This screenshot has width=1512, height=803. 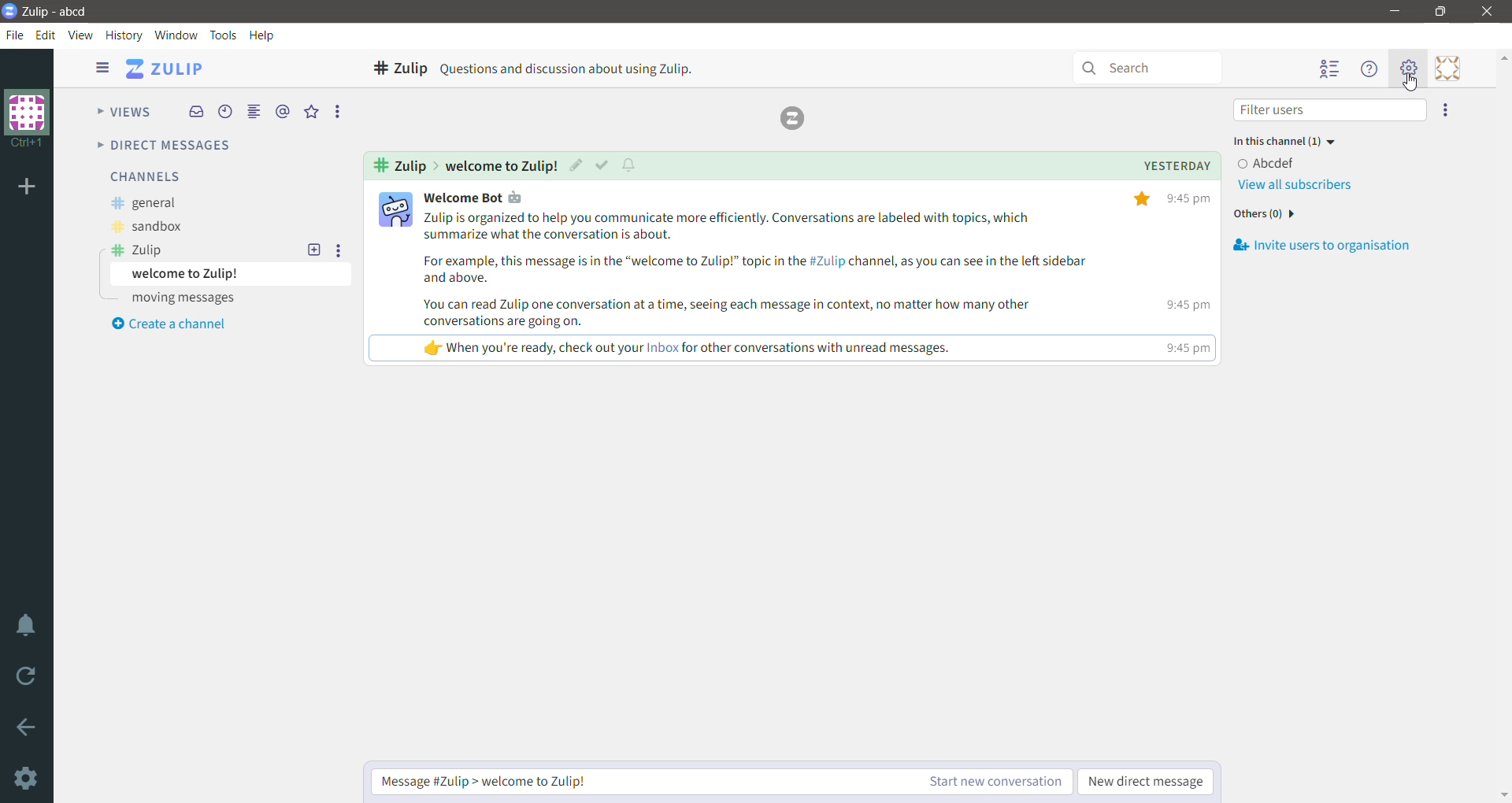 I want to click on Questions and discussion about using Zulip, so click(x=569, y=68).